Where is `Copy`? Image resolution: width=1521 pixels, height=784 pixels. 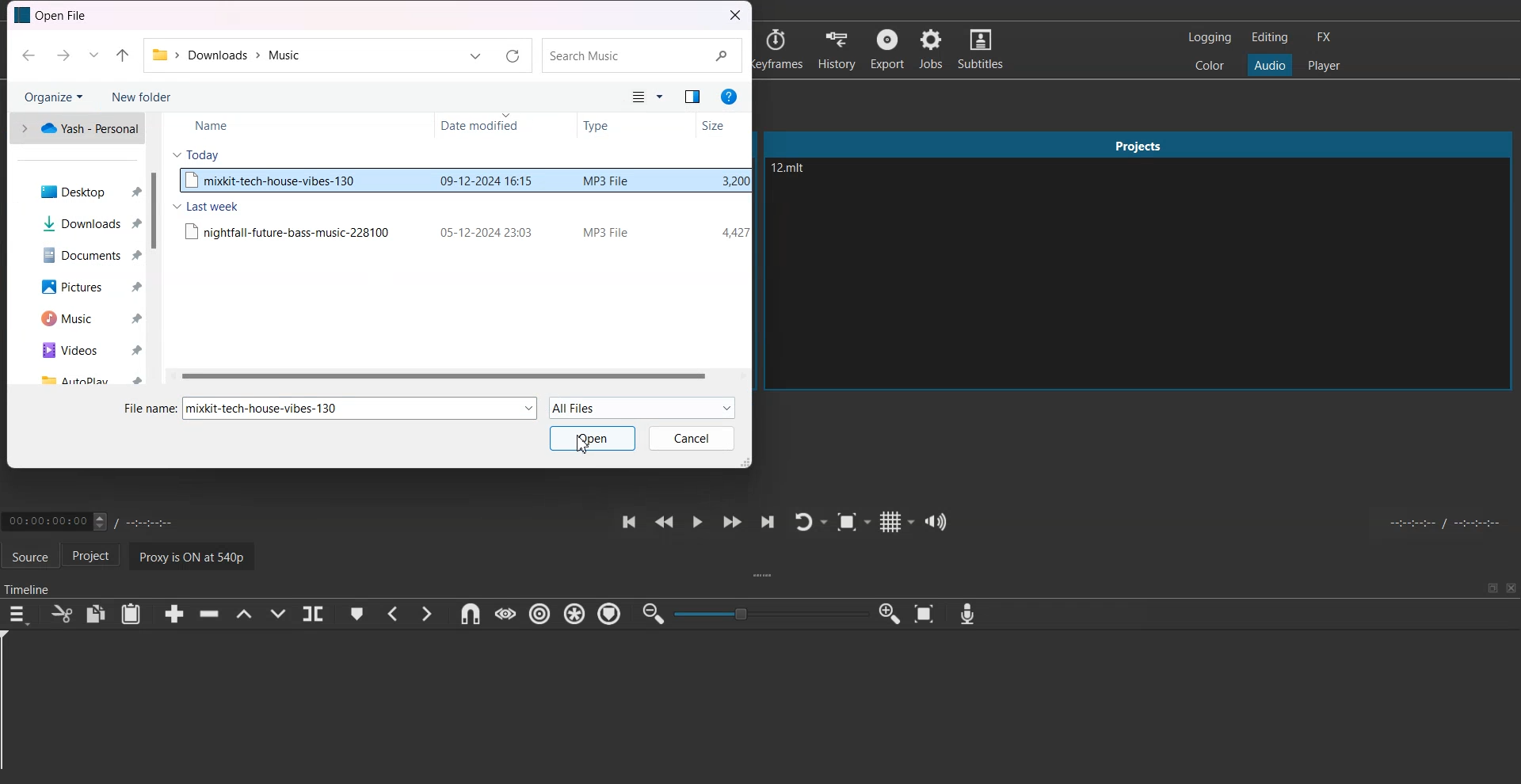
Copy is located at coordinates (97, 613).